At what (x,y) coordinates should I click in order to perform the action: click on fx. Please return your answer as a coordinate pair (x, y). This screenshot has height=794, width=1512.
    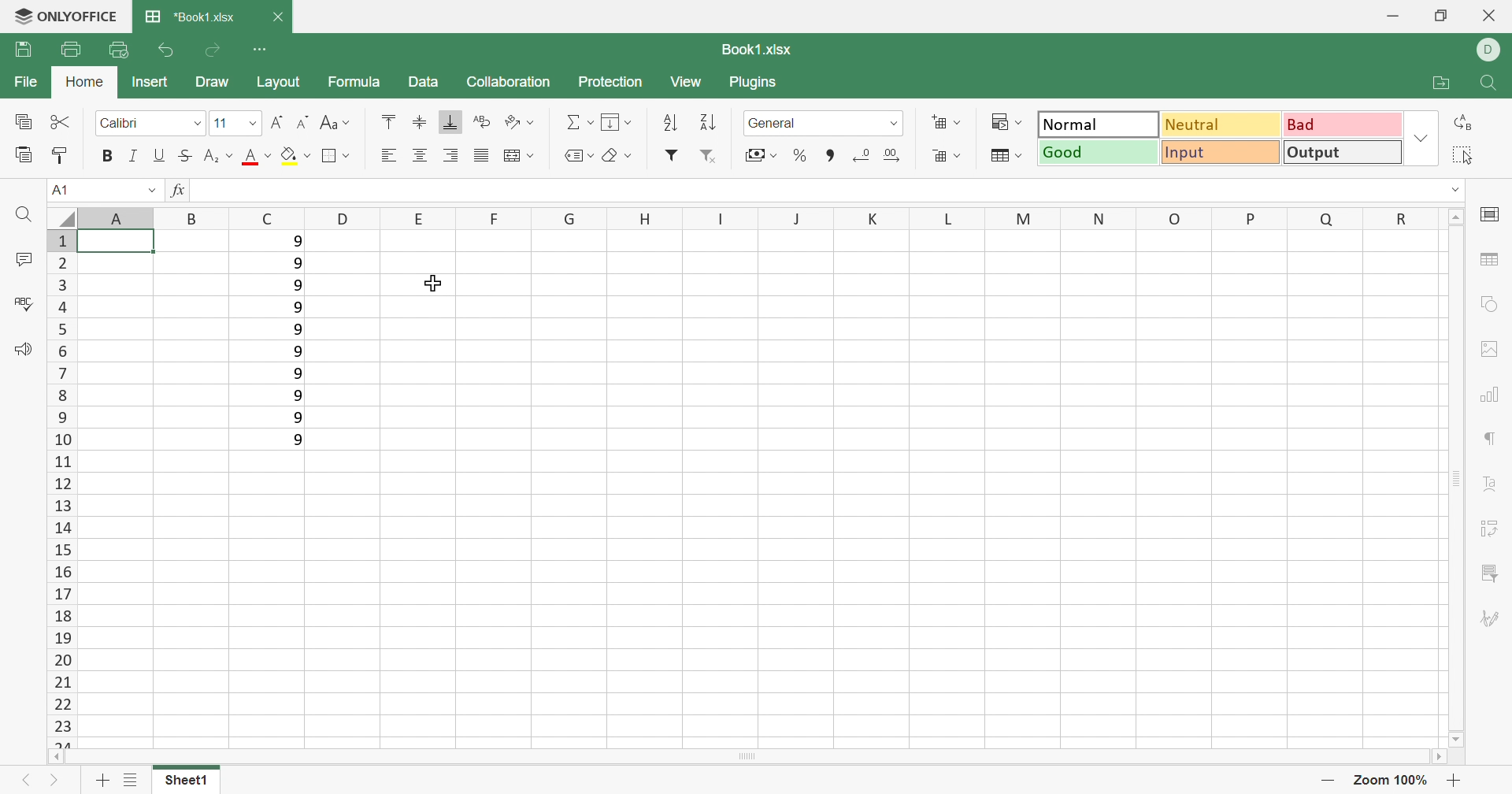
    Looking at the image, I should click on (182, 189).